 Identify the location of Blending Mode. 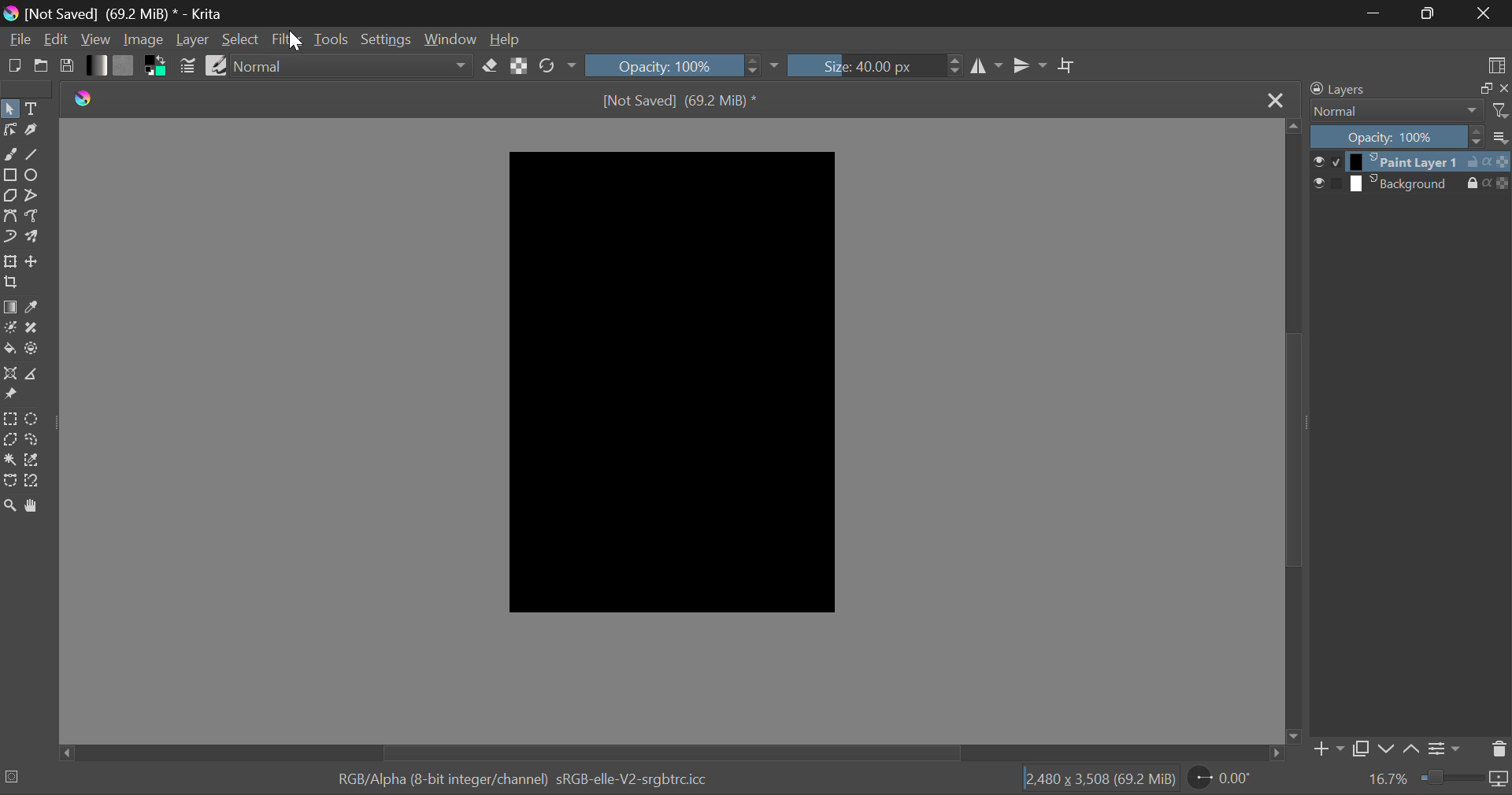
(352, 68).